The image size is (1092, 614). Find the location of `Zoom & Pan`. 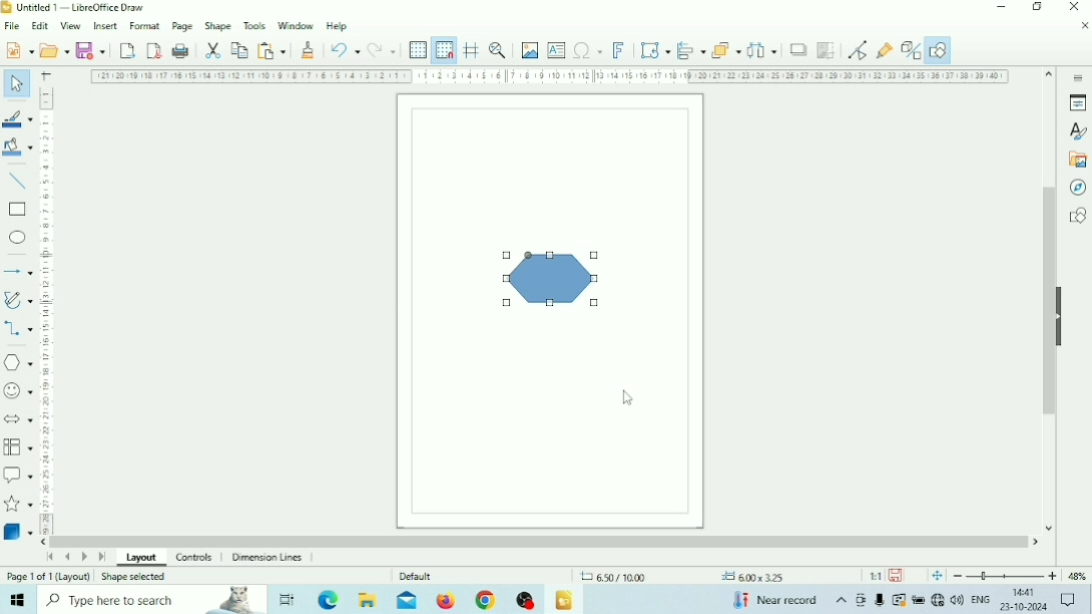

Zoom & Pan is located at coordinates (498, 49).